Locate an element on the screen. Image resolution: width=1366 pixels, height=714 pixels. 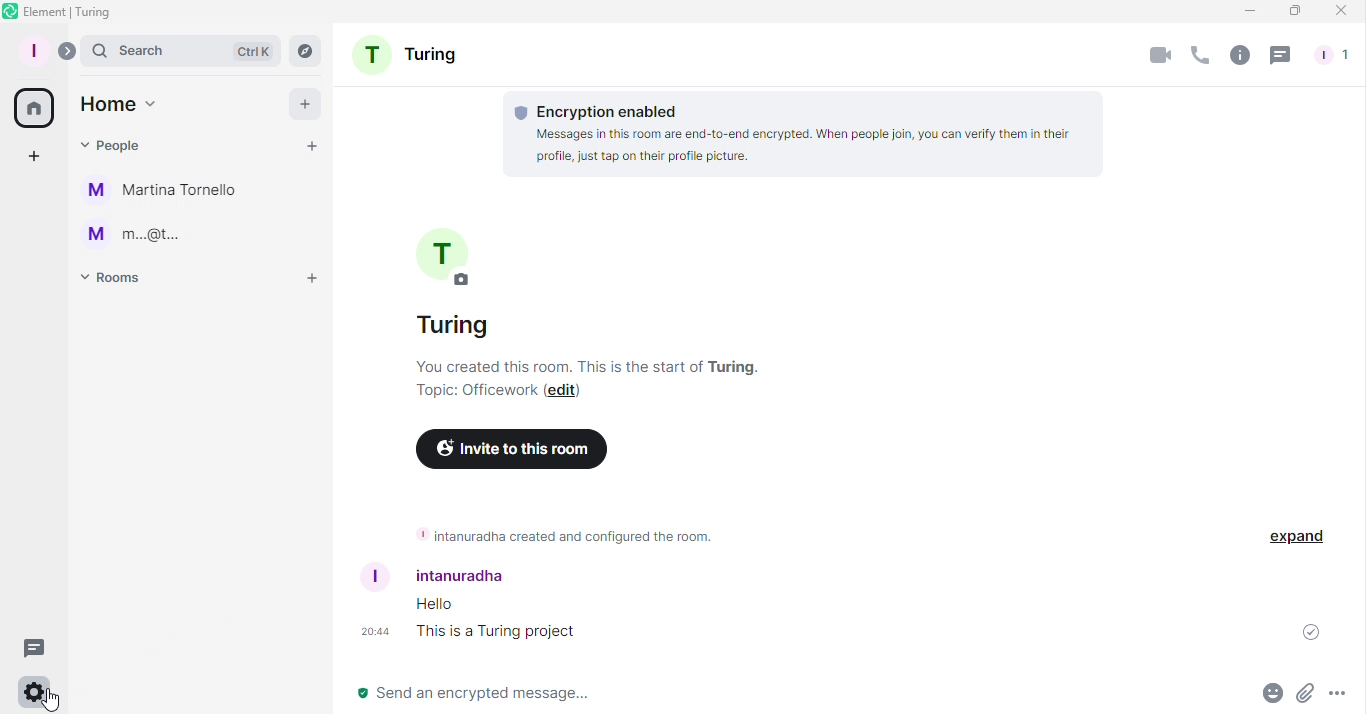
Room information is located at coordinates (562, 535).